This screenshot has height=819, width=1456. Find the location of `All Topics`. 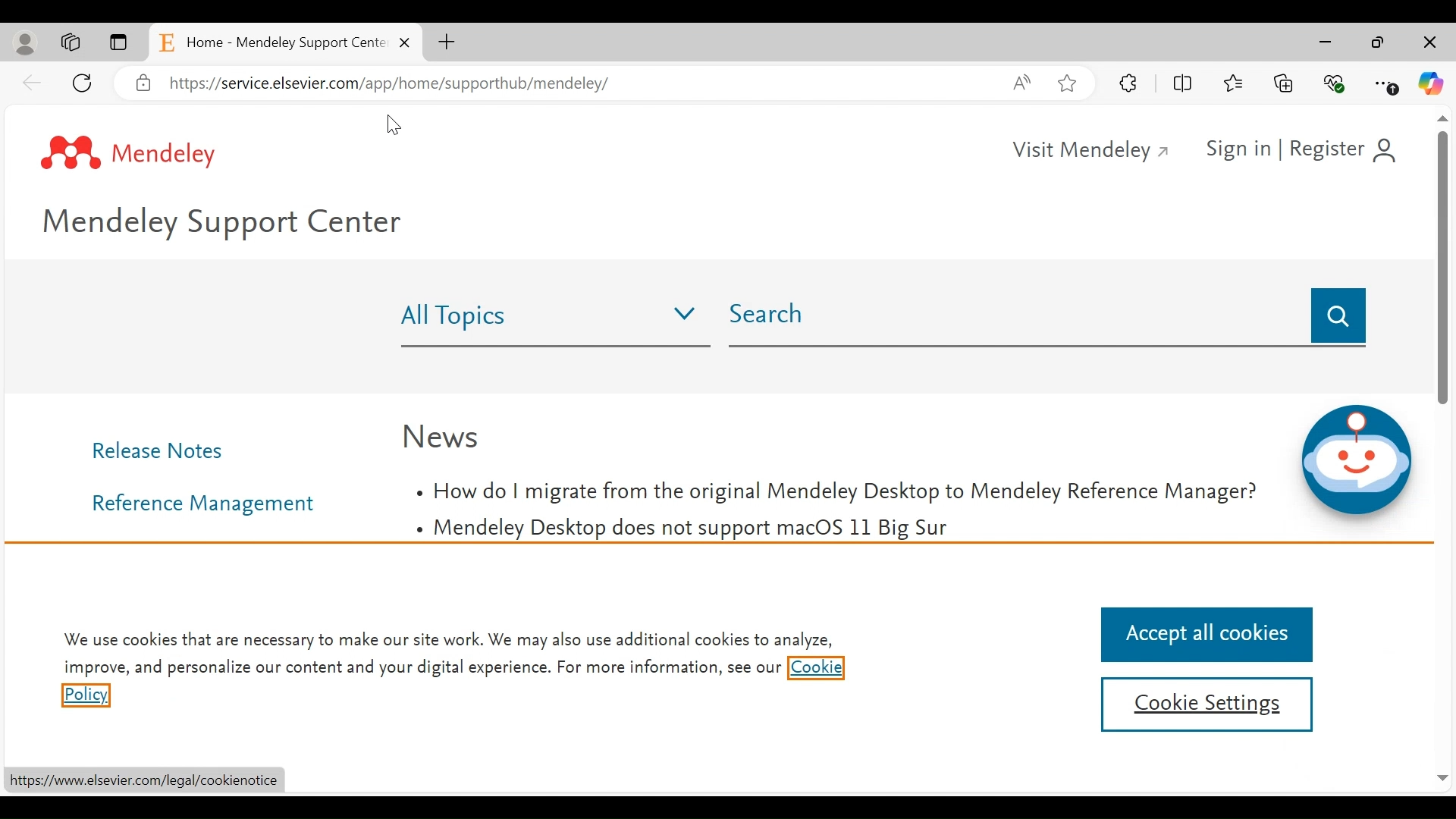

All Topics is located at coordinates (551, 318).